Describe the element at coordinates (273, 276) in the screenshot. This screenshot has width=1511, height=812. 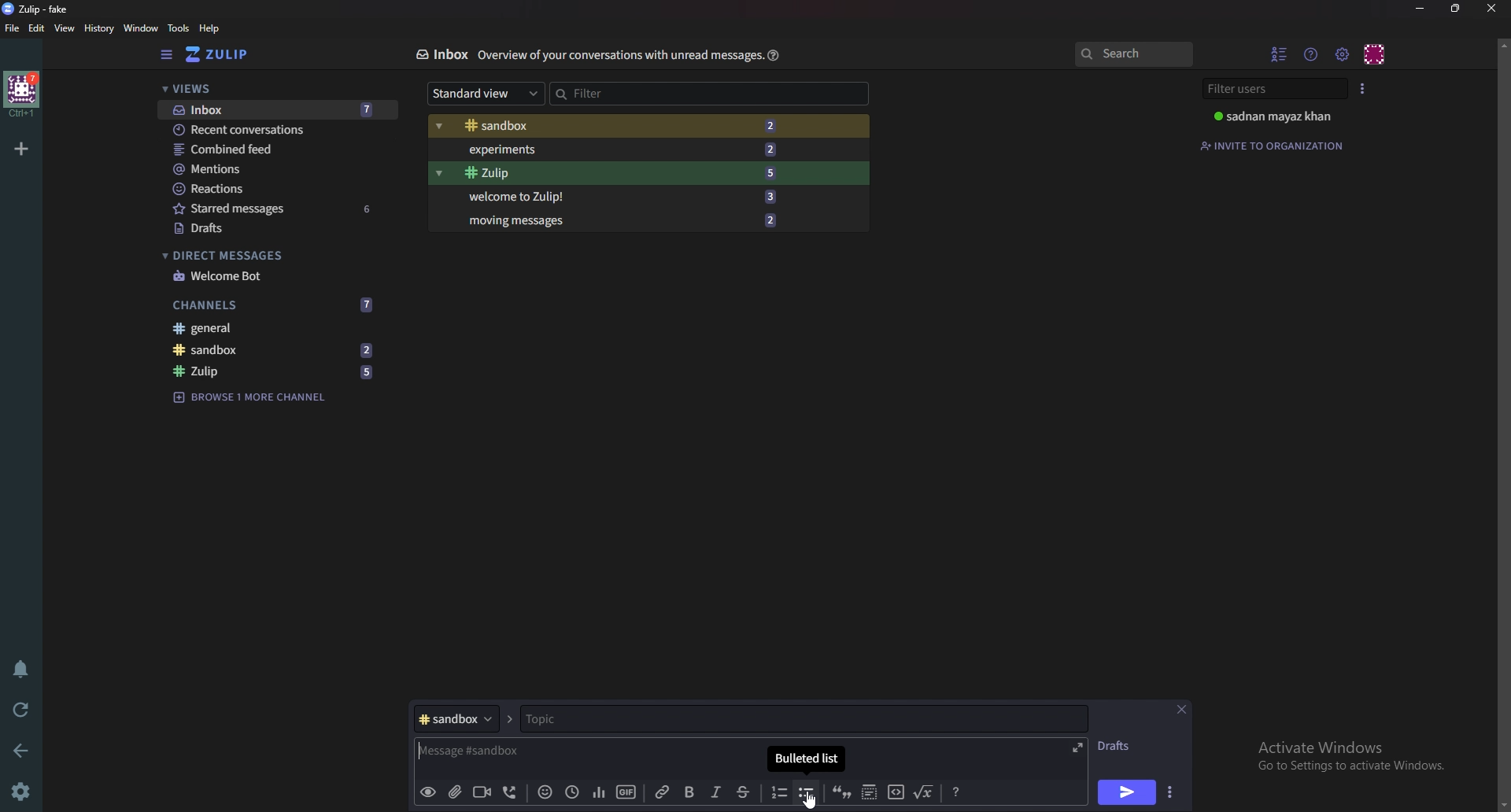
I see `welcome bot` at that location.